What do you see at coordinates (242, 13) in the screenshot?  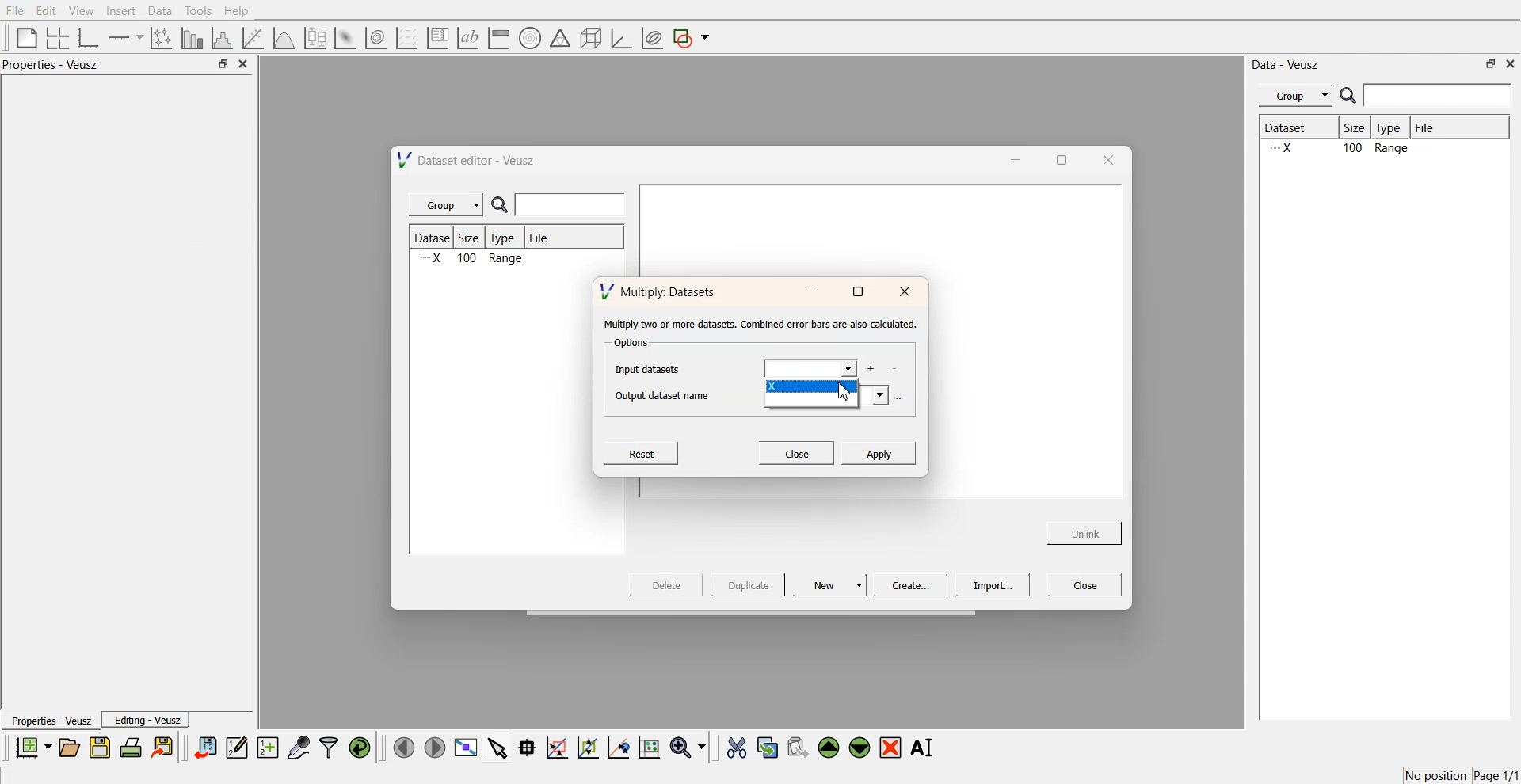 I see `Help` at bounding box center [242, 13].